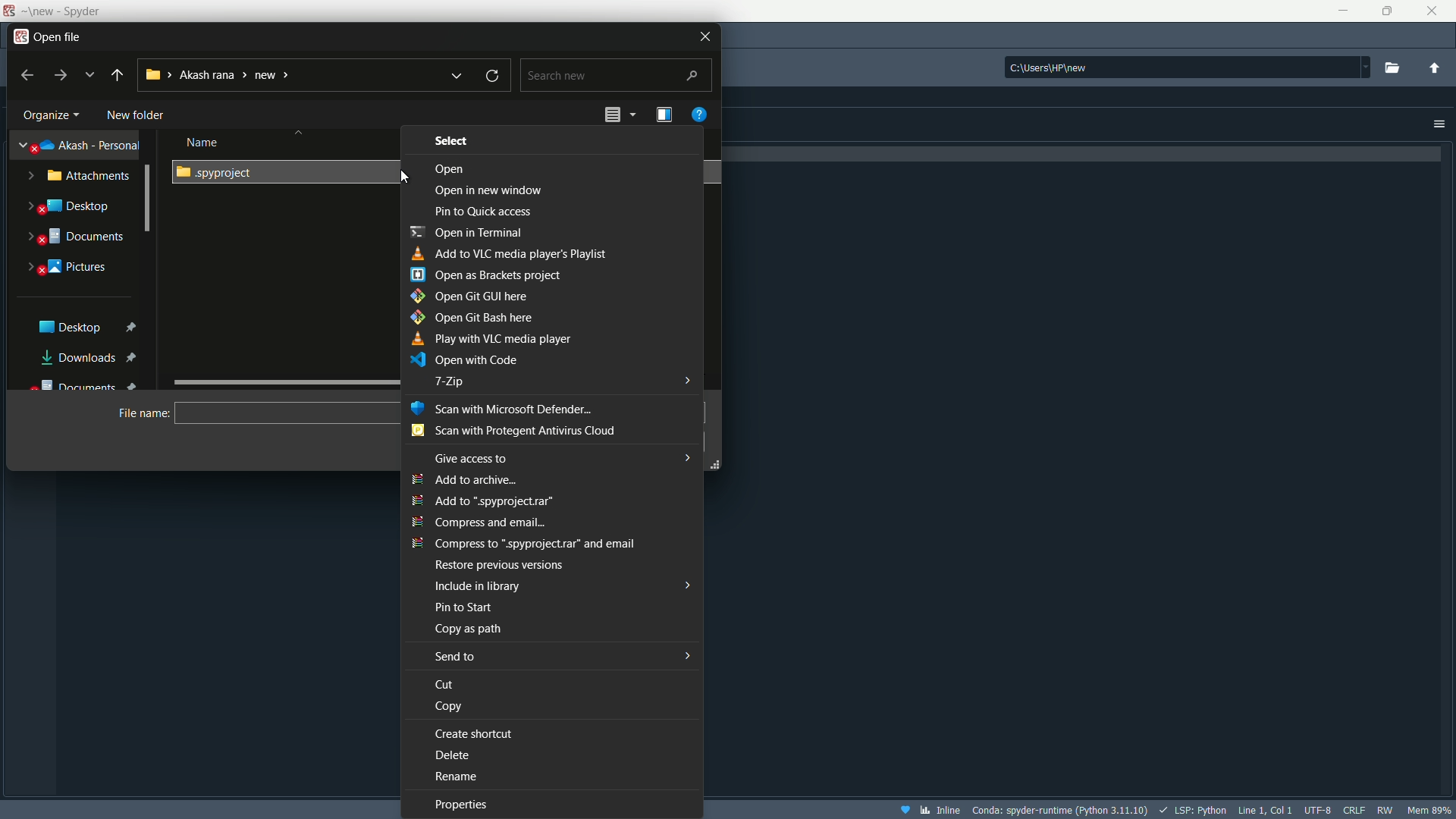 The image size is (1456, 819). I want to click on Desktop, so click(72, 206).